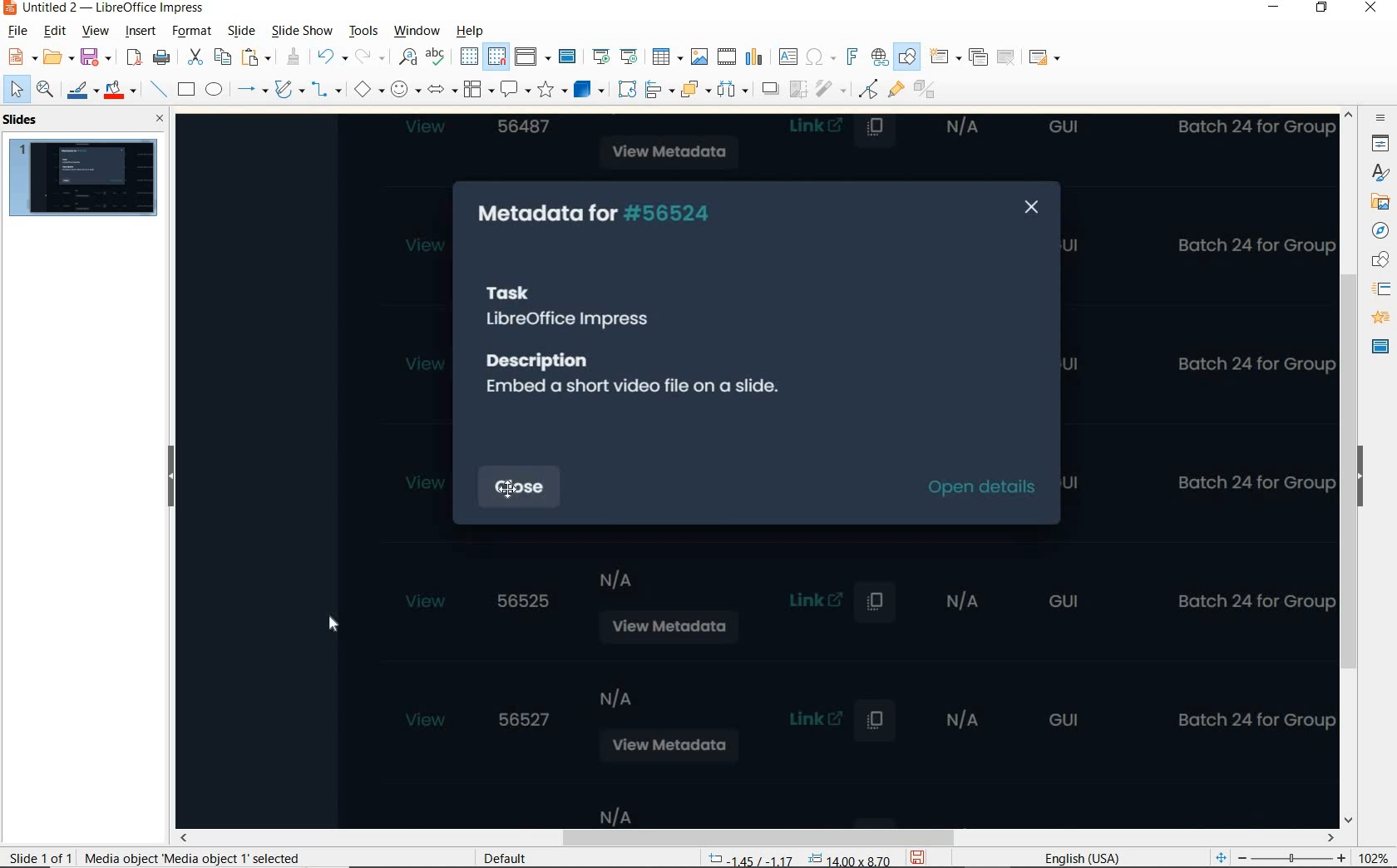  I want to click on INSERT SPECIAL CHARACTERS, so click(821, 57).